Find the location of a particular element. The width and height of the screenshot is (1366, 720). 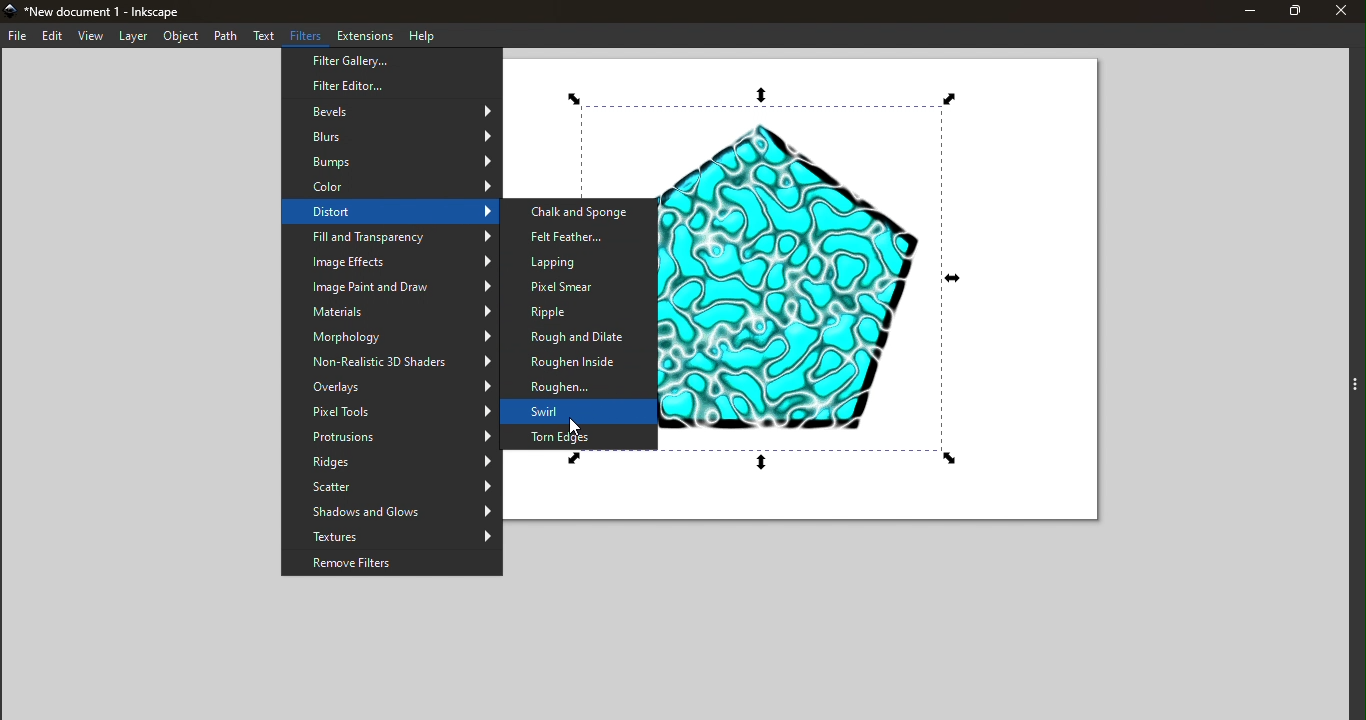

Felt Feather... is located at coordinates (579, 237).